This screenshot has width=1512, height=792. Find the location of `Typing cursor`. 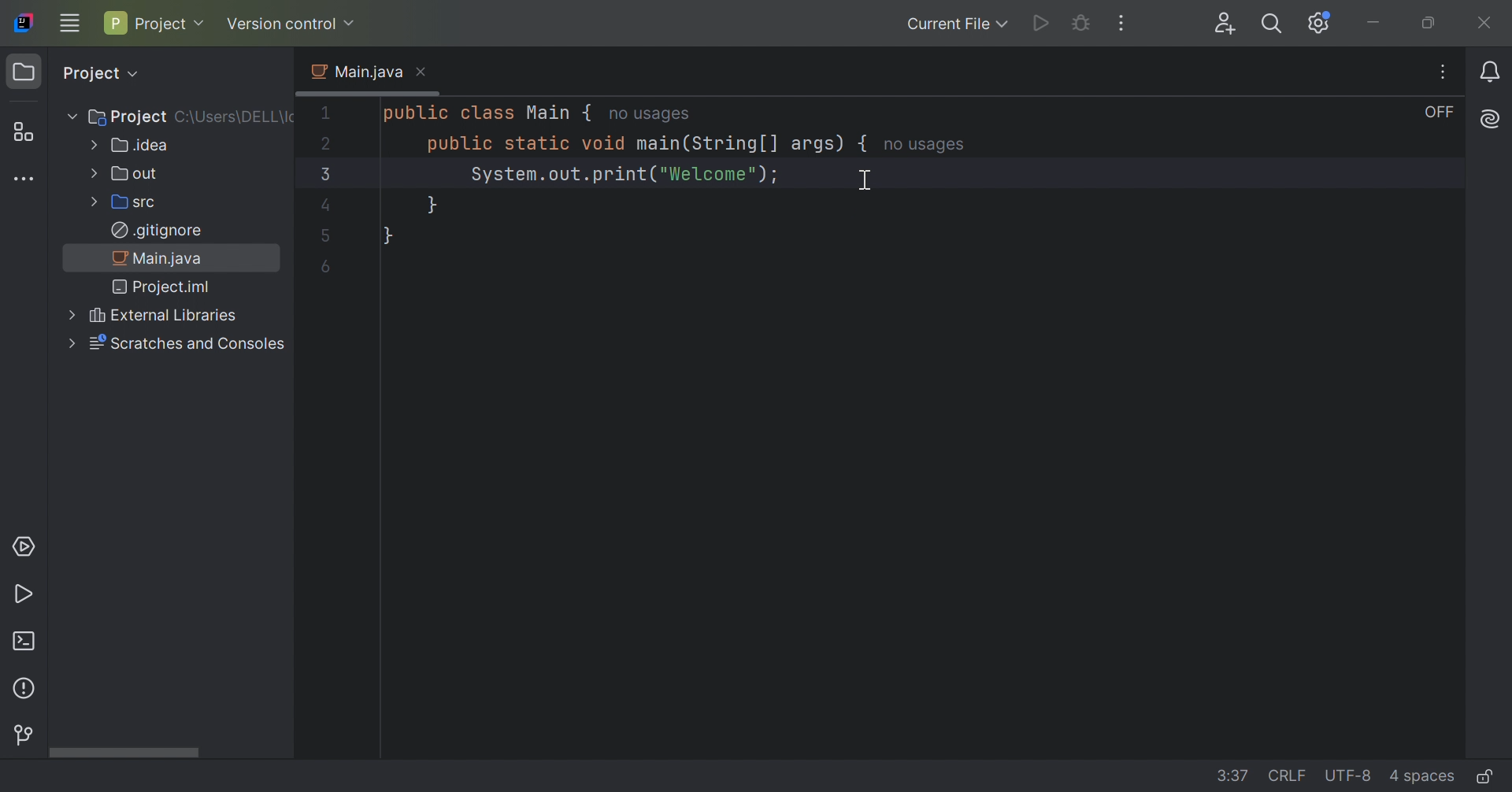

Typing cursor is located at coordinates (865, 181).